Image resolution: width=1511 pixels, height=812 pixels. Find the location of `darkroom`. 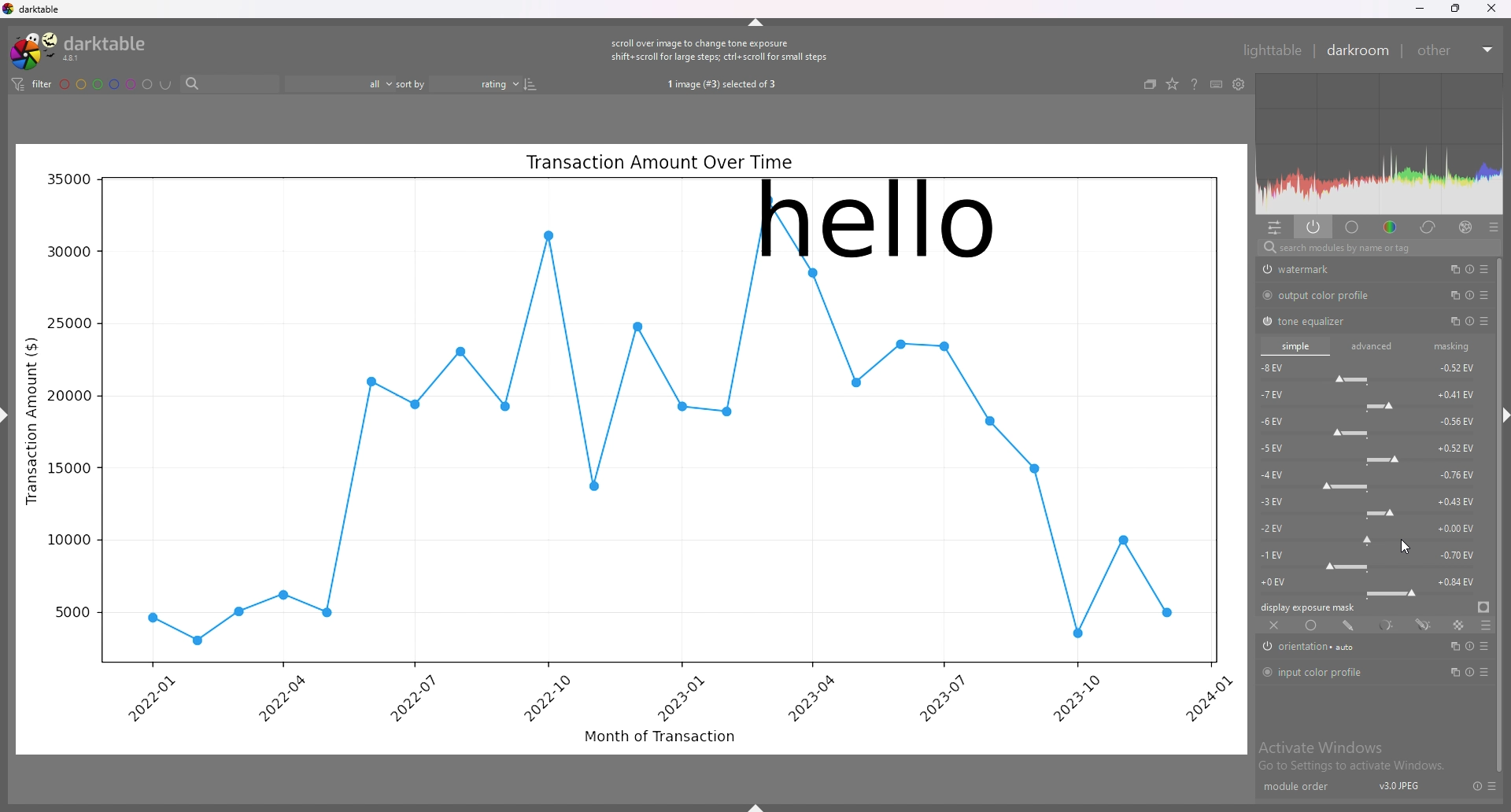

darkroom is located at coordinates (1359, 51).